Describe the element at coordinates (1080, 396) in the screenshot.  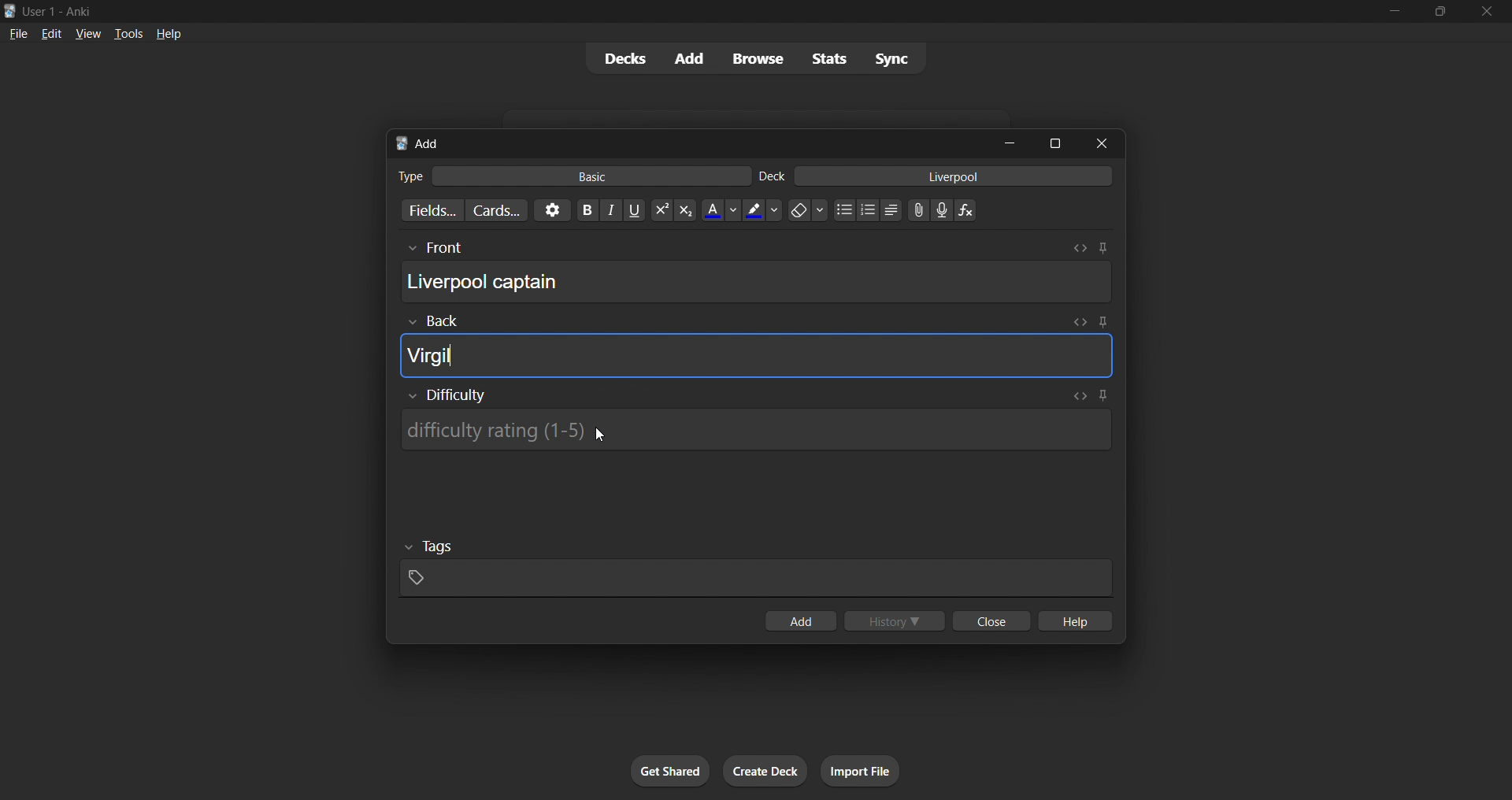
I see `Toggle HTML editor` at that location.